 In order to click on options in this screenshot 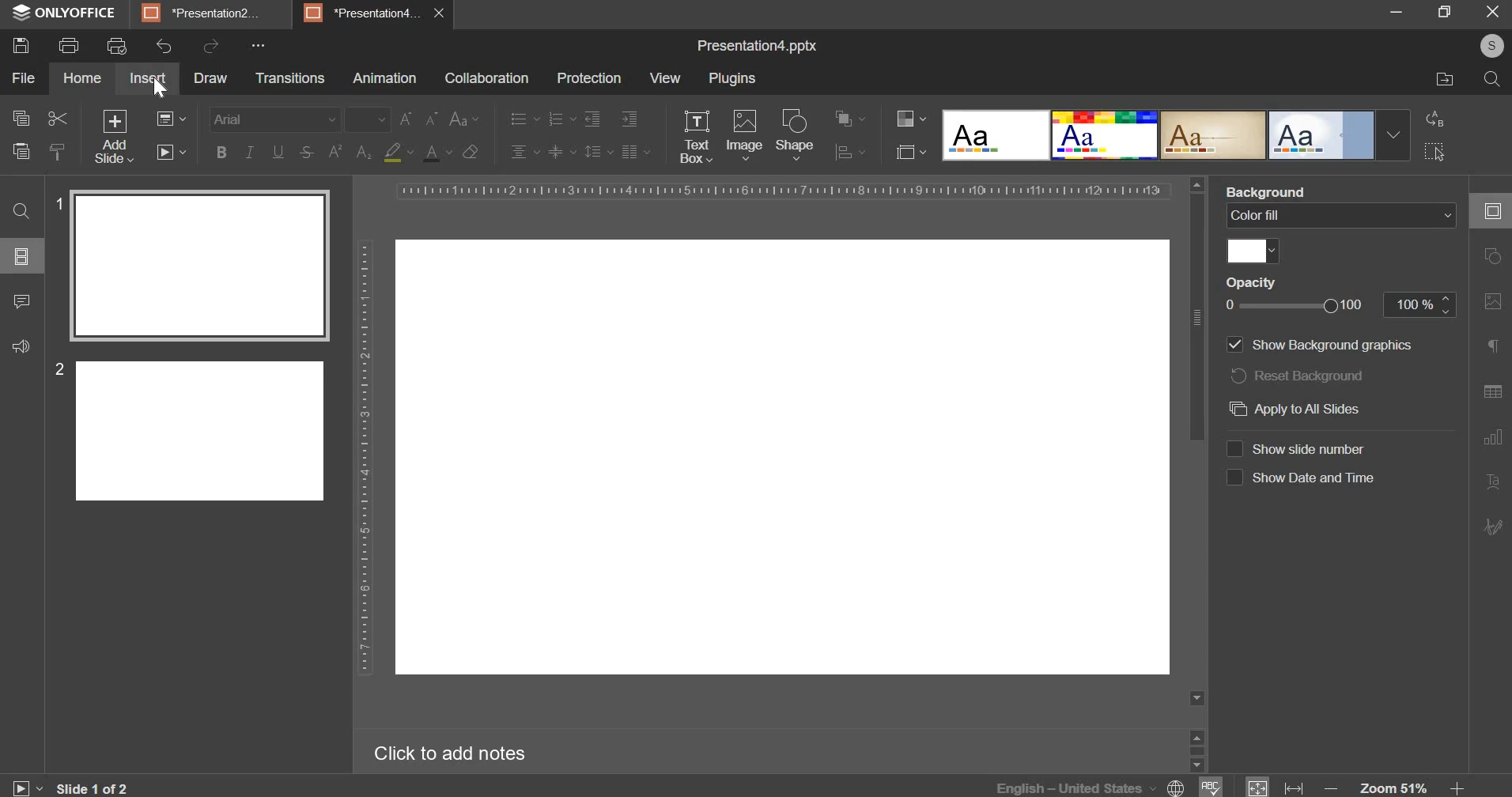, I will do `click(846, 152)`.